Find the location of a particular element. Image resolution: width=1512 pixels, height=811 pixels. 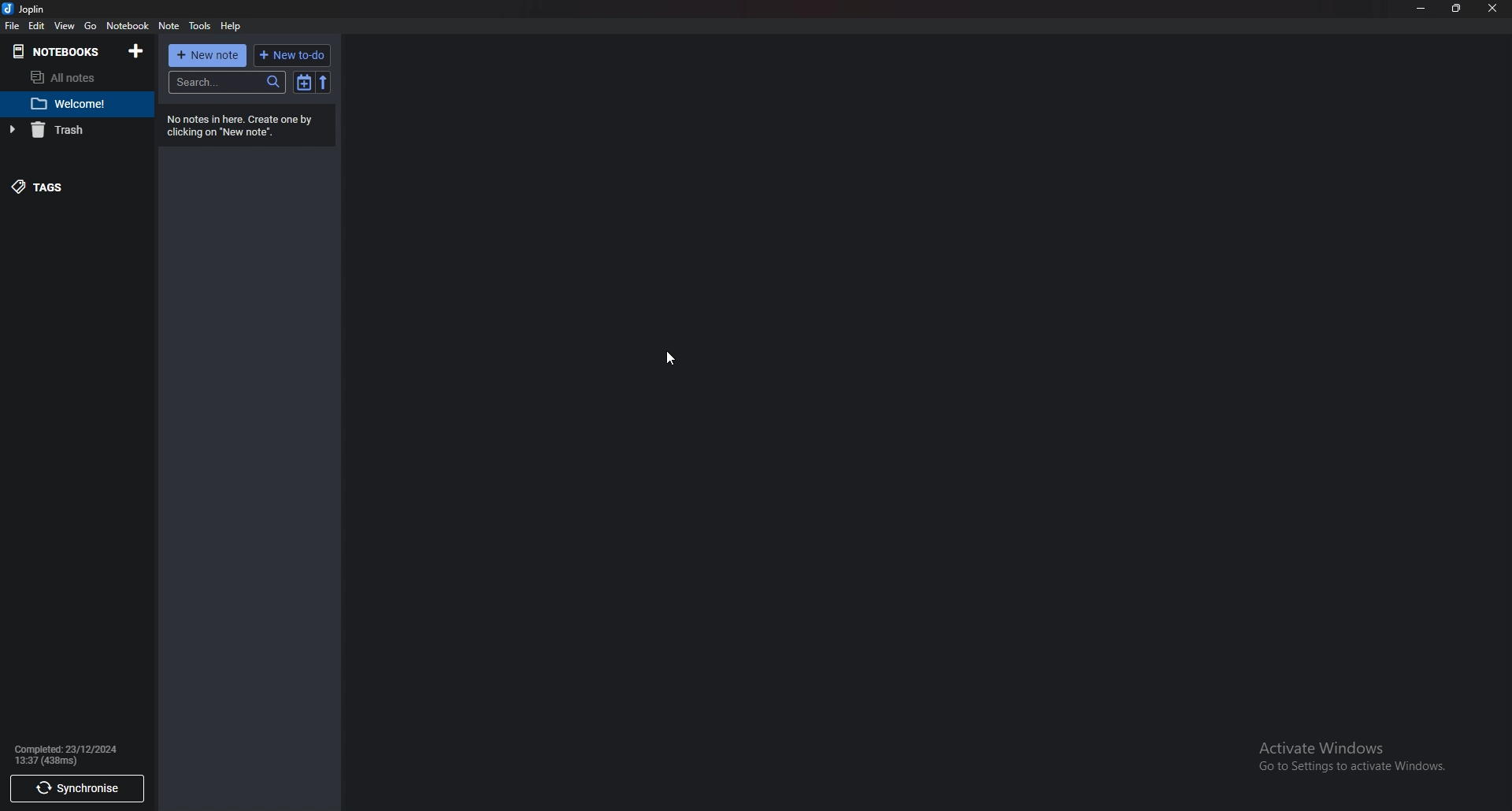

New to do is located at coordinates (291, 55).